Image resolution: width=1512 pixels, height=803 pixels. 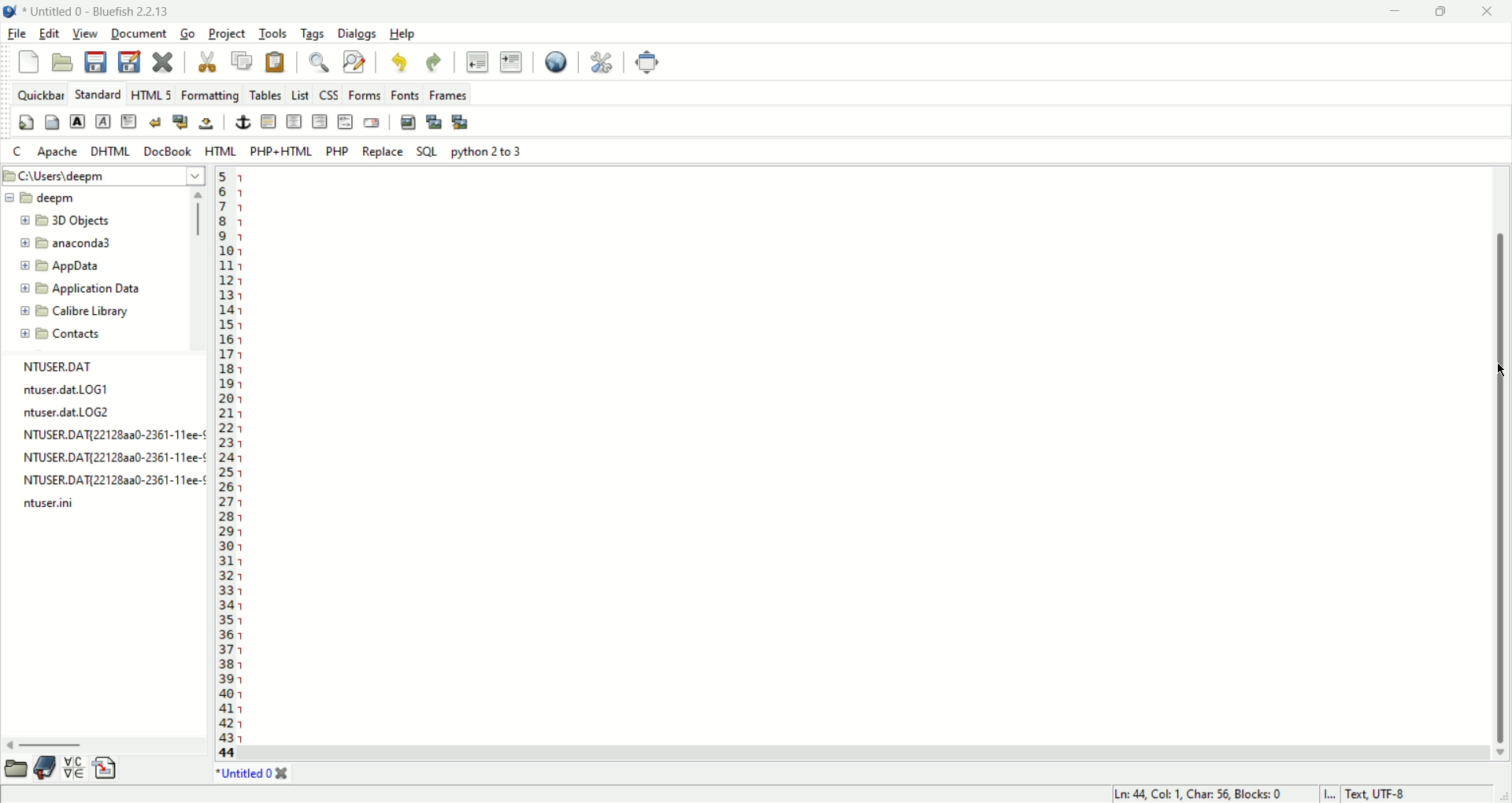 What do you see at coordinates (300, 94) in the screenshot?
I see `list` at bounding box center [300, 94].